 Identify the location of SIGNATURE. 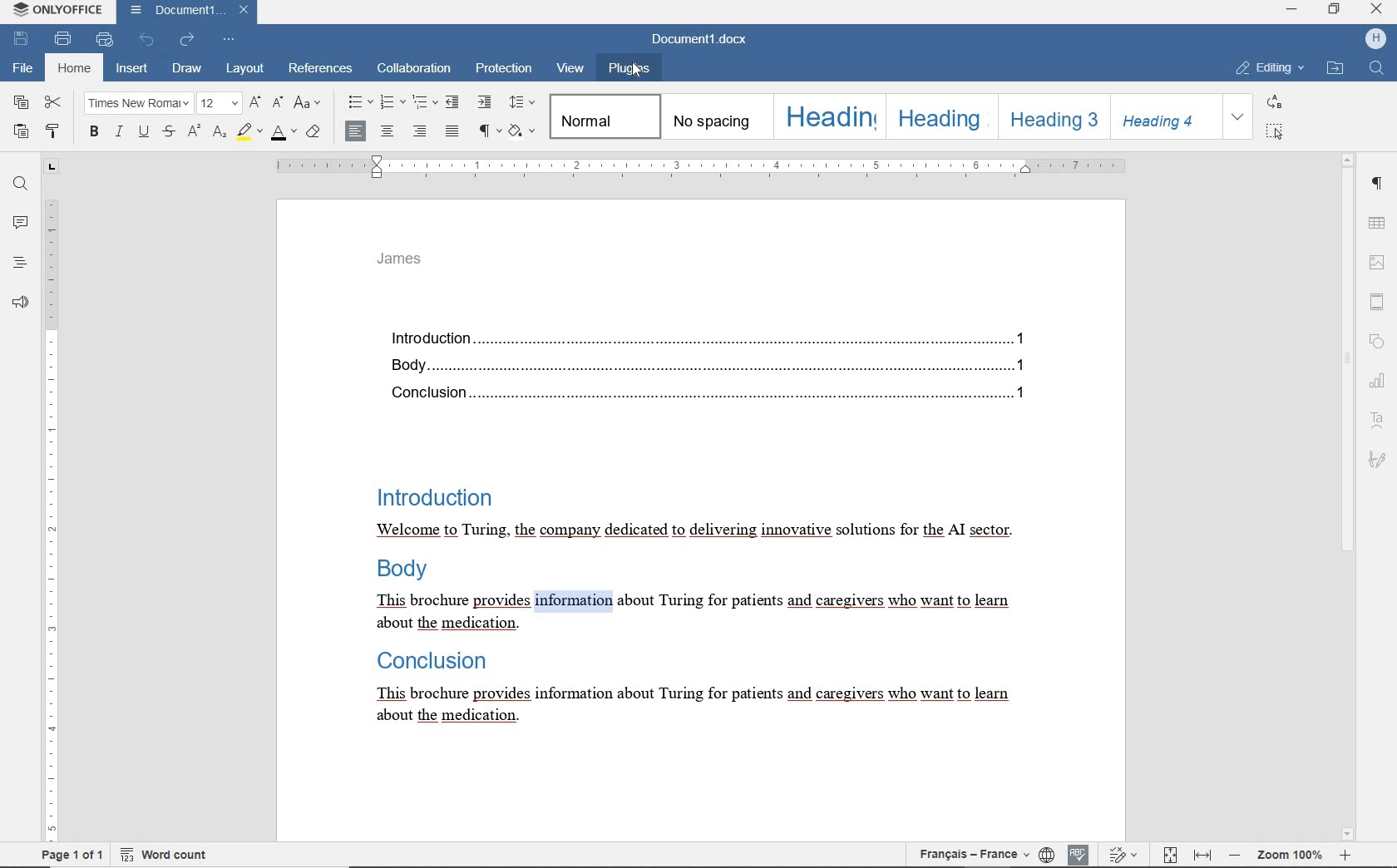
(1379, 461).